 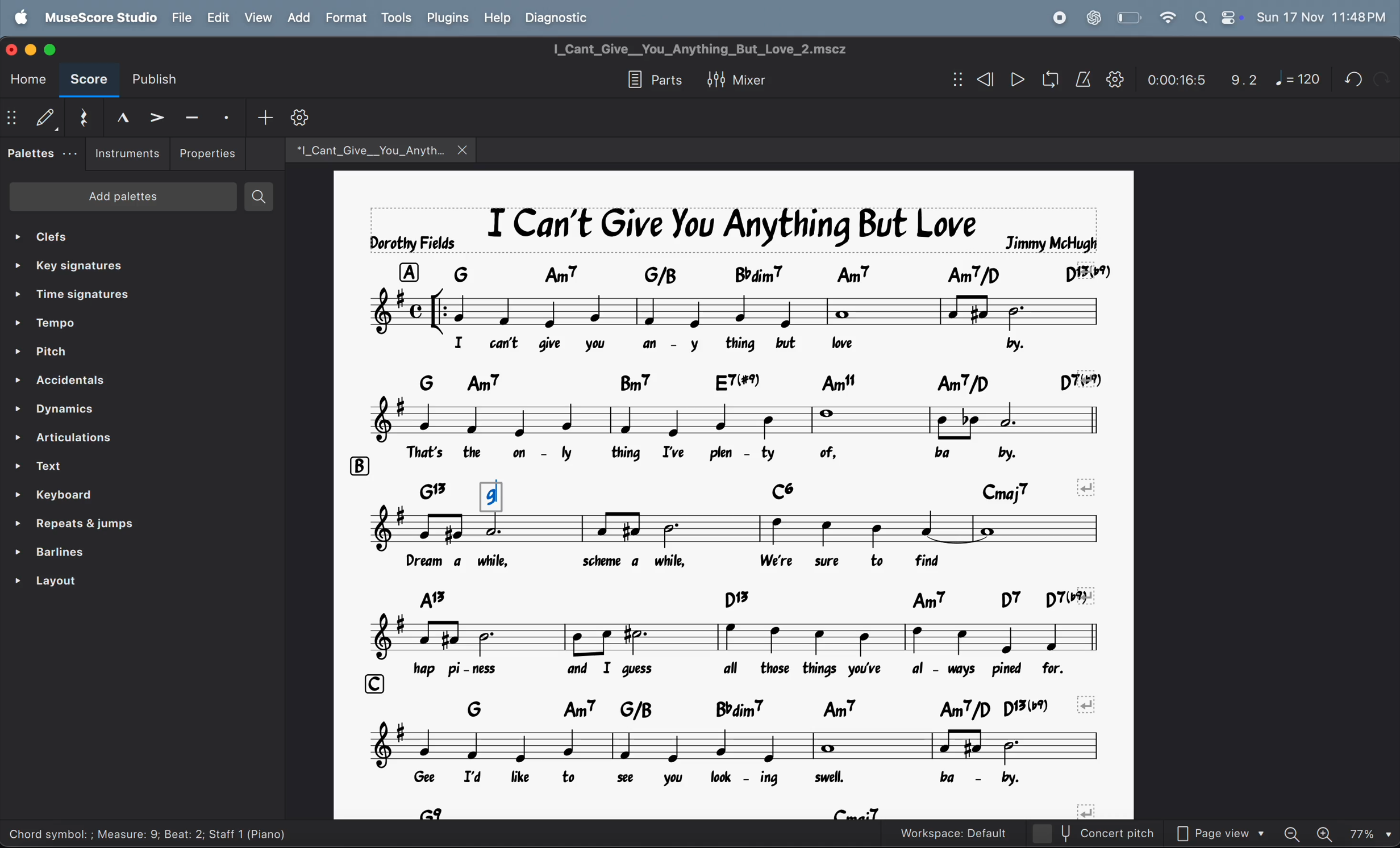 What do you see at coordinates (131, 326) in the screenshot?
I see `tempo` at bounding box center [131, 326].